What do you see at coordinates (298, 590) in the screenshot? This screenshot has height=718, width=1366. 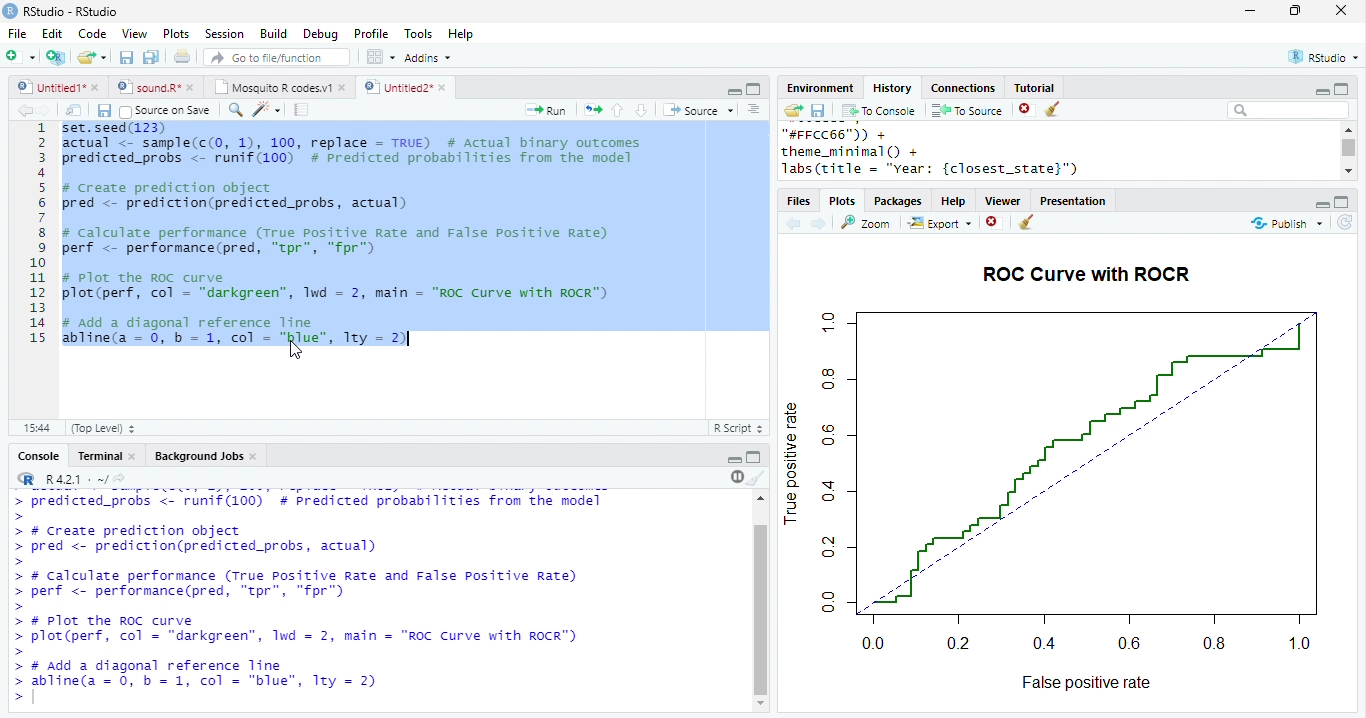 I see `> # Calculate performance (True Positive Rate and False Positive Rate)
> perf <- performance(pred, "tpr", fpr")
>` at bounding box center [298, 590].